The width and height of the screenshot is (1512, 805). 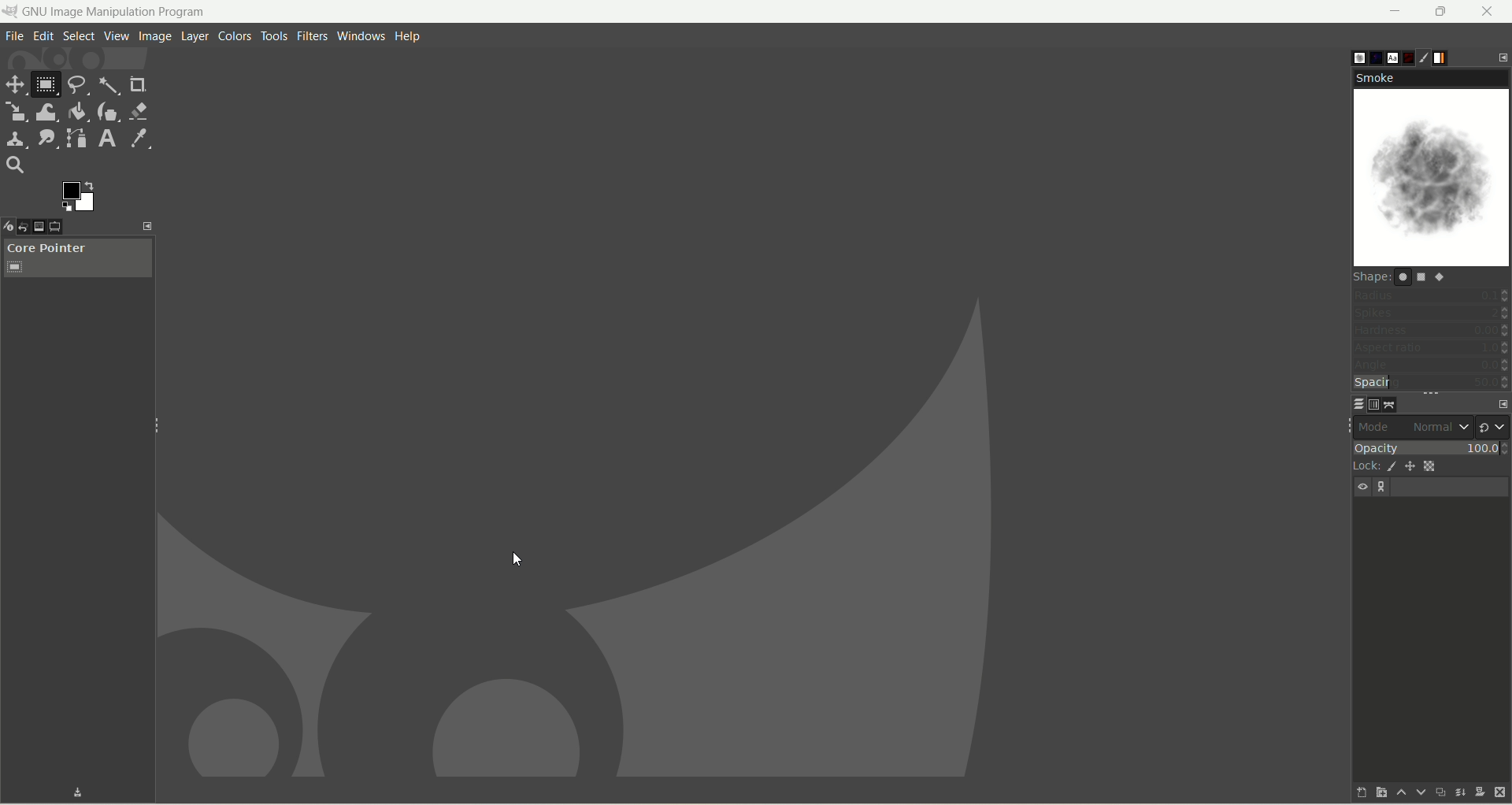 What do you see at coordinates (1396, 11) in the screenshot?
I see `minimize` at bounding box center [1396, 11].